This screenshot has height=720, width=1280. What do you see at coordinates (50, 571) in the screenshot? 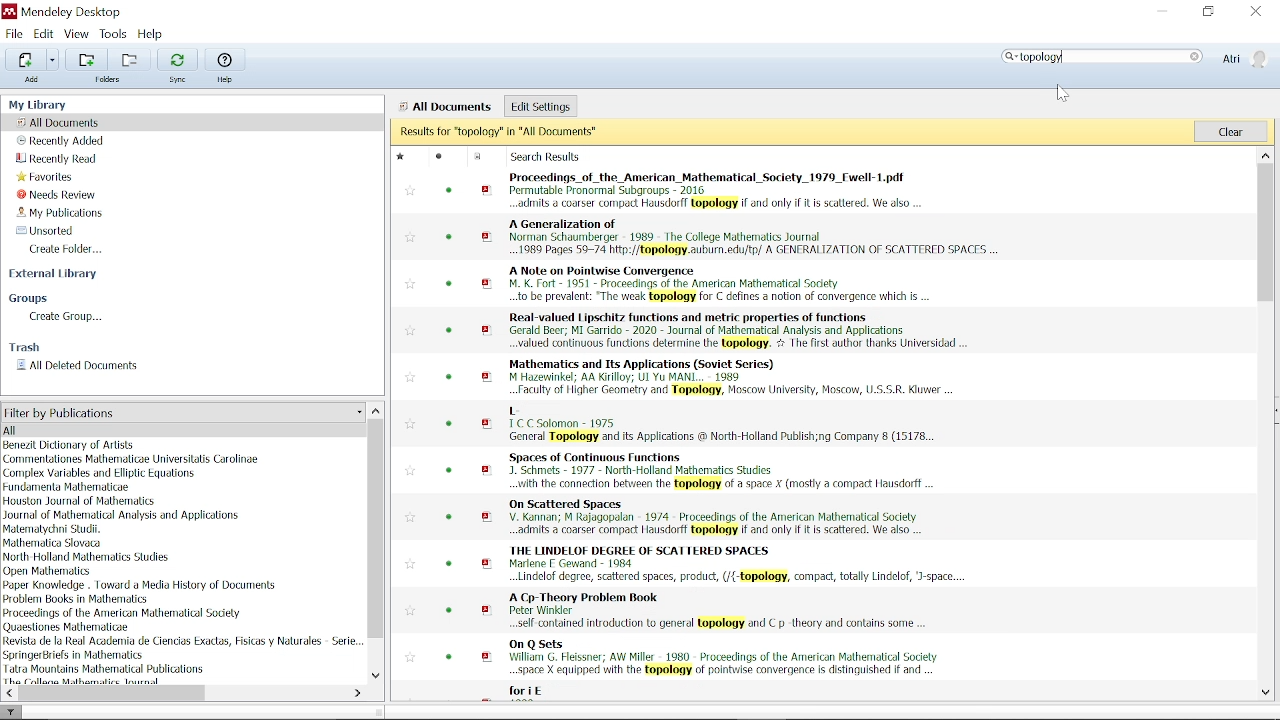
I see `author` at bounding box center [50, 571].